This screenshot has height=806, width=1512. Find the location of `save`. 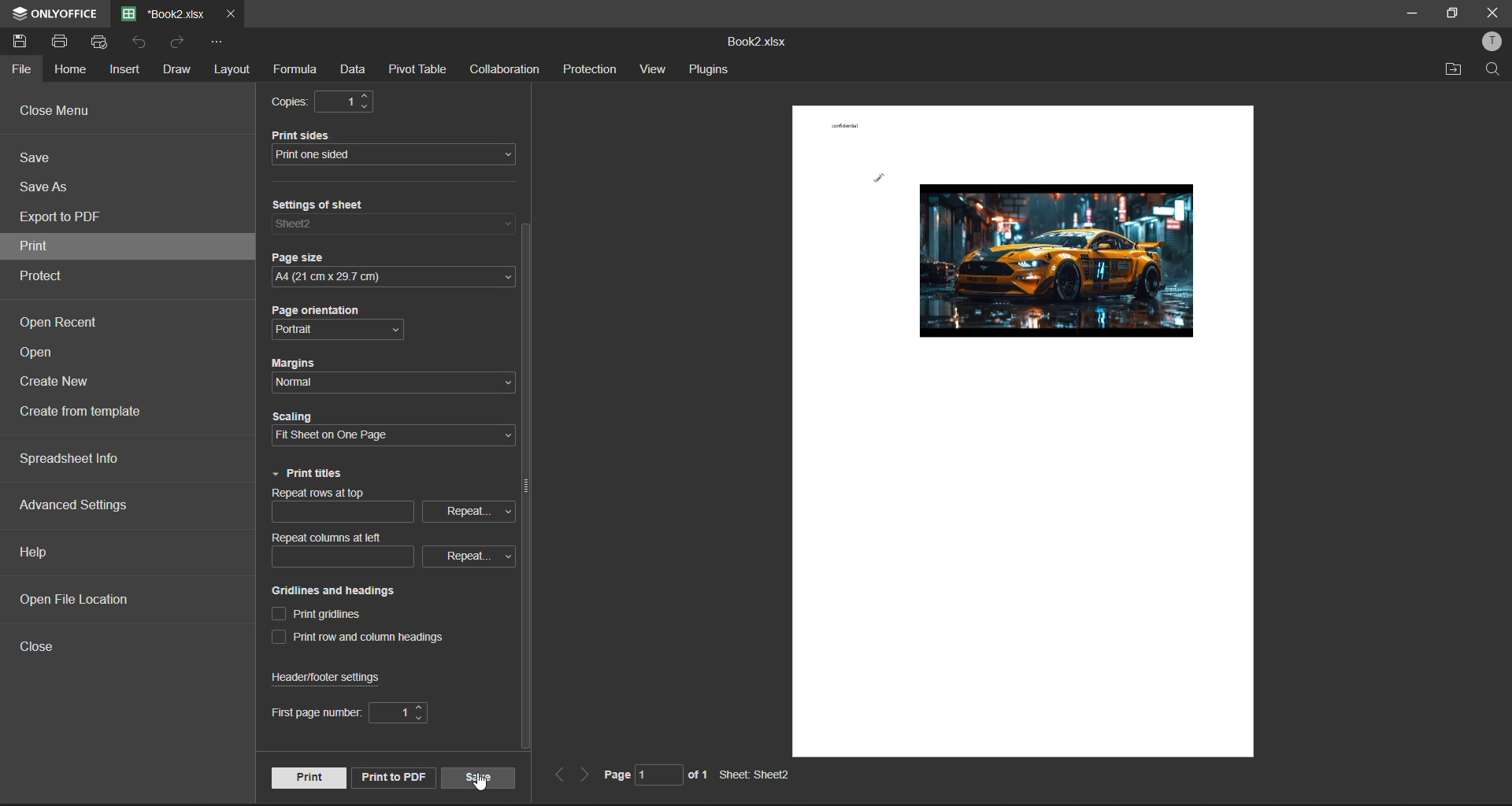

save is located at coordinates (39, 161).